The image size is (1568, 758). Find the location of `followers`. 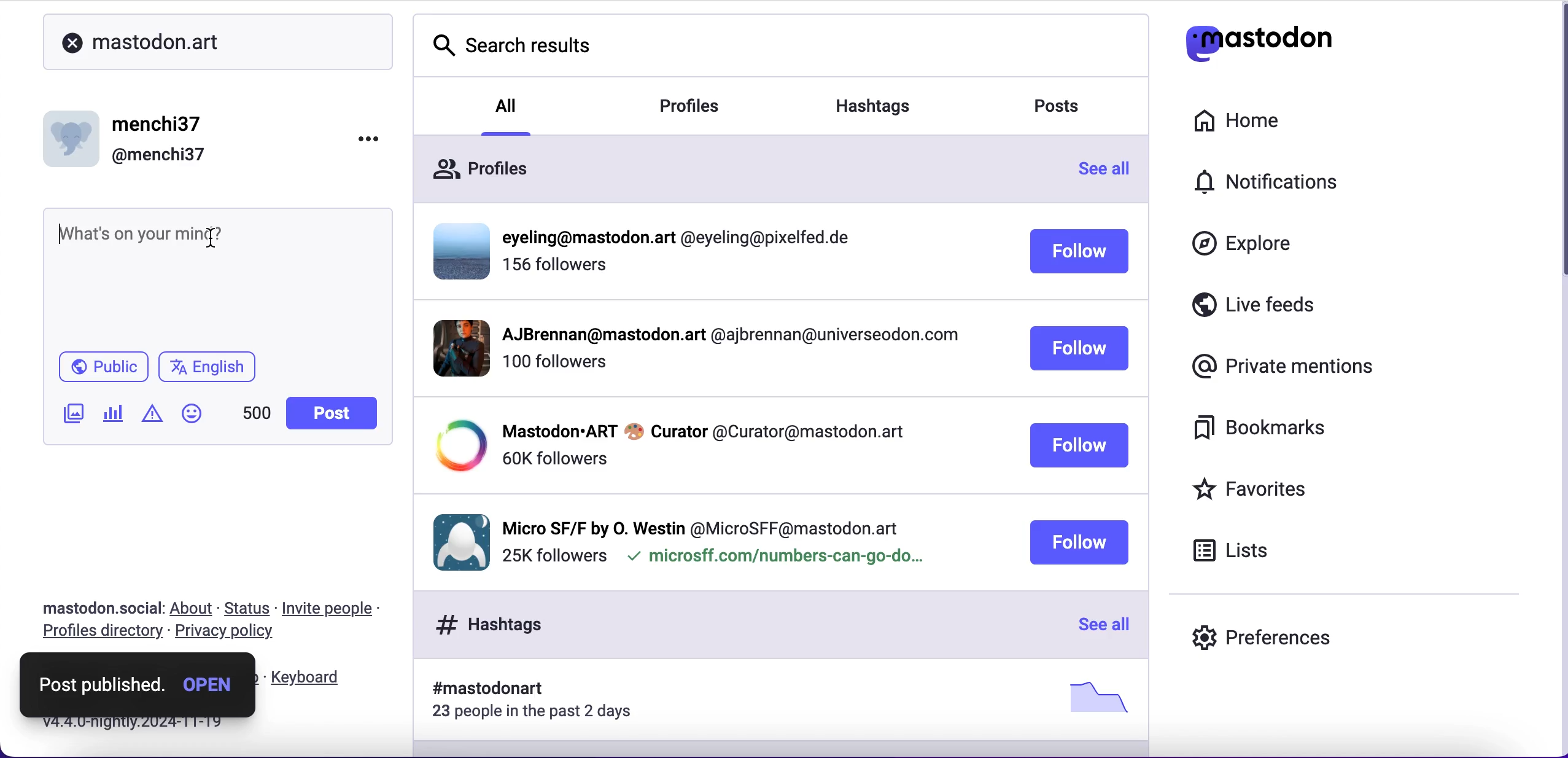

followers is located at coordinates (553, 557).